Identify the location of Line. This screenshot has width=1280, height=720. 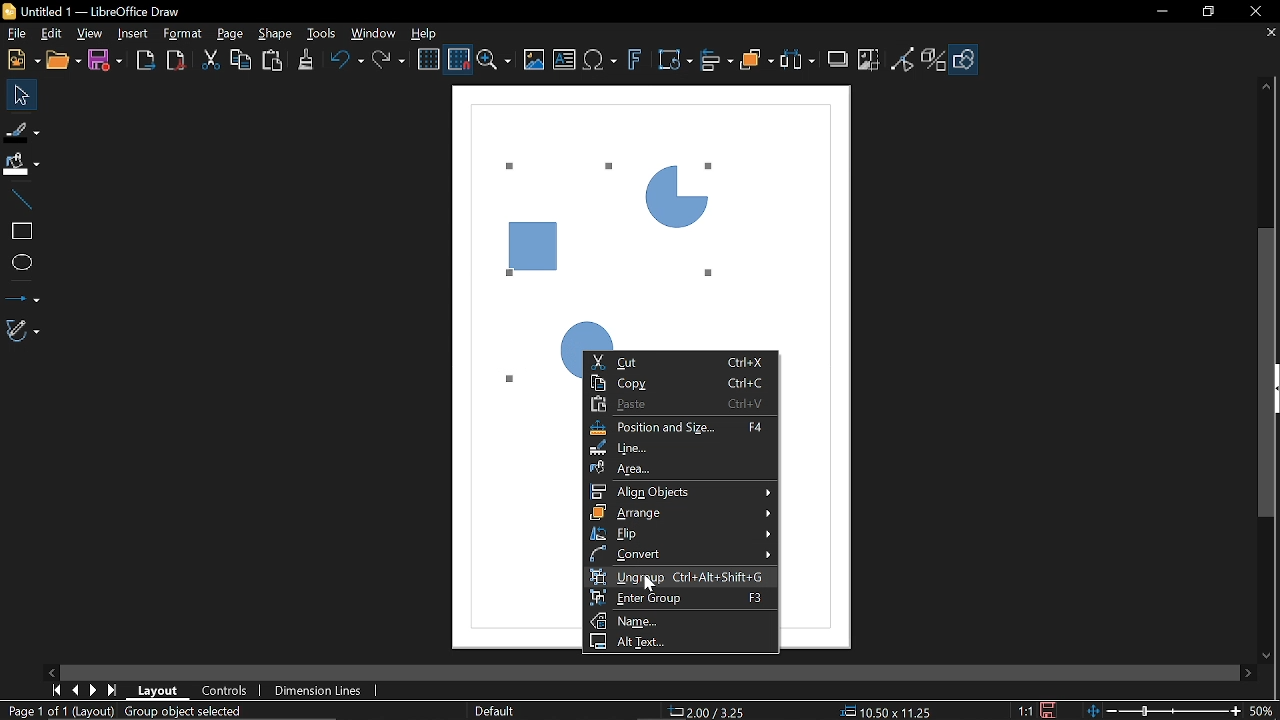
(682, 448).